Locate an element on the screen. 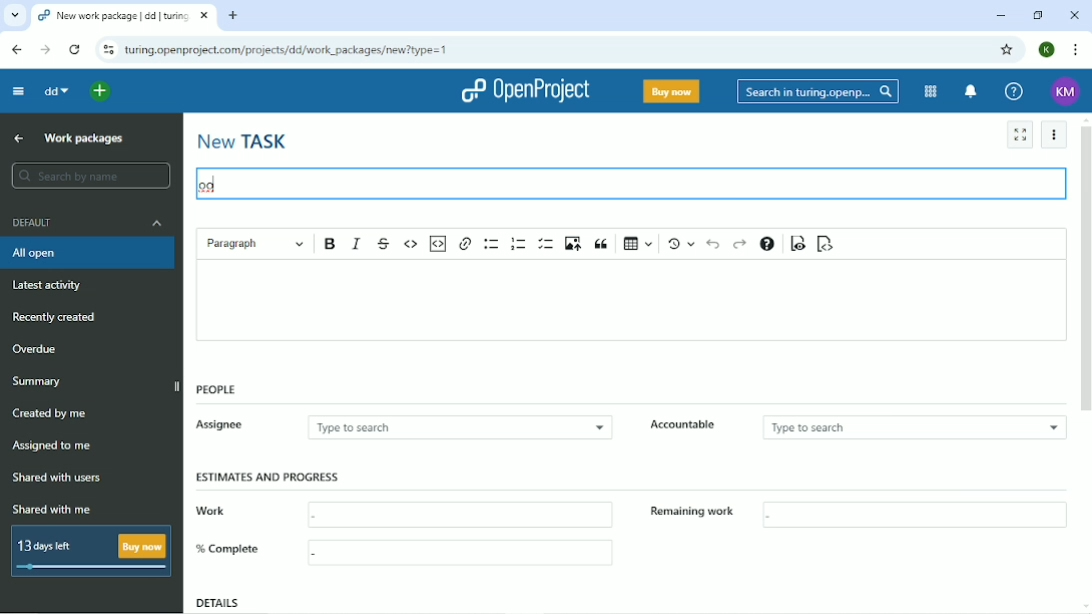 The width and height of the screenshot is (1092, 614). box is located at coordinates (465, 555).